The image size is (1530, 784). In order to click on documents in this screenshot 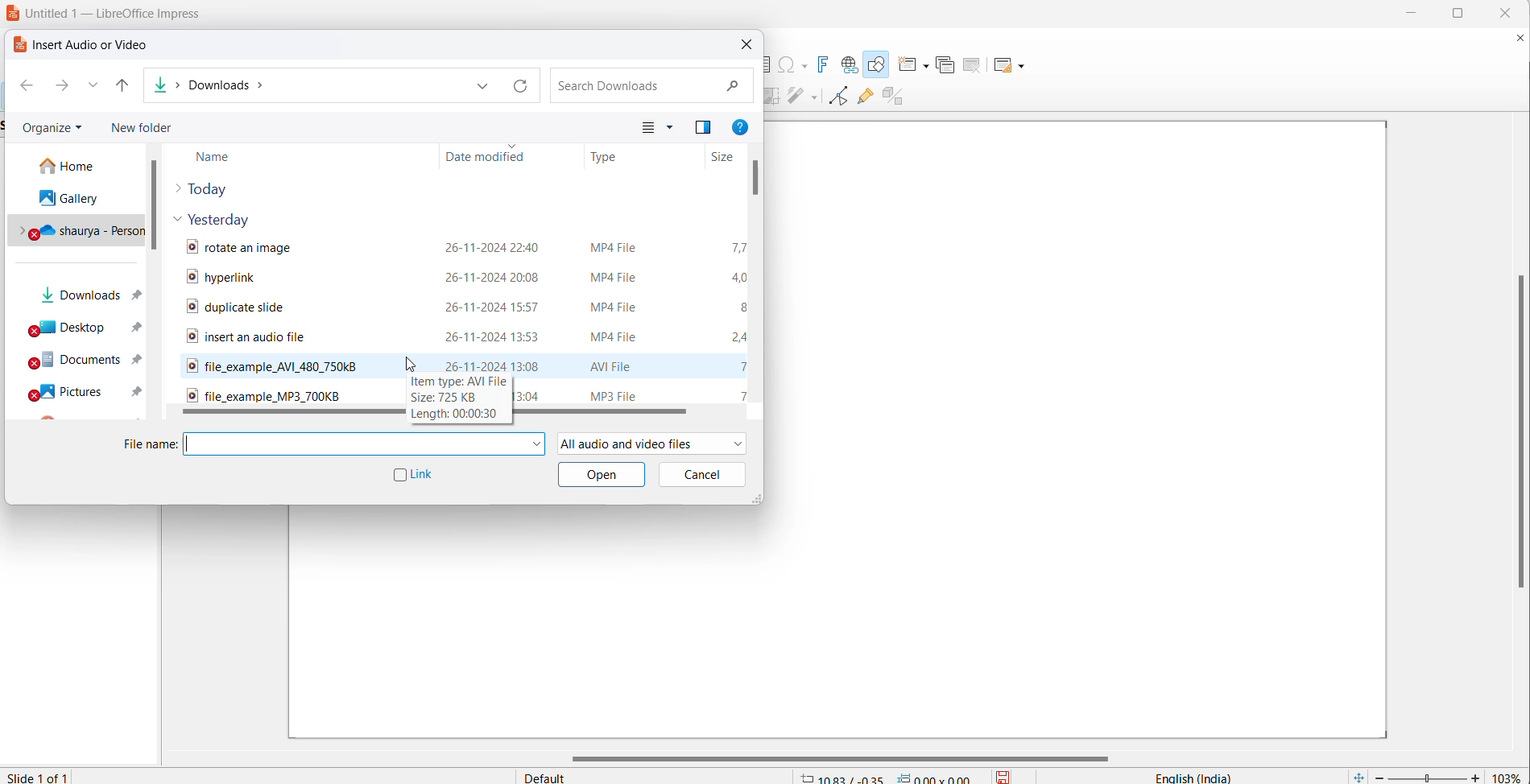, I will do `click(78, 359)`.